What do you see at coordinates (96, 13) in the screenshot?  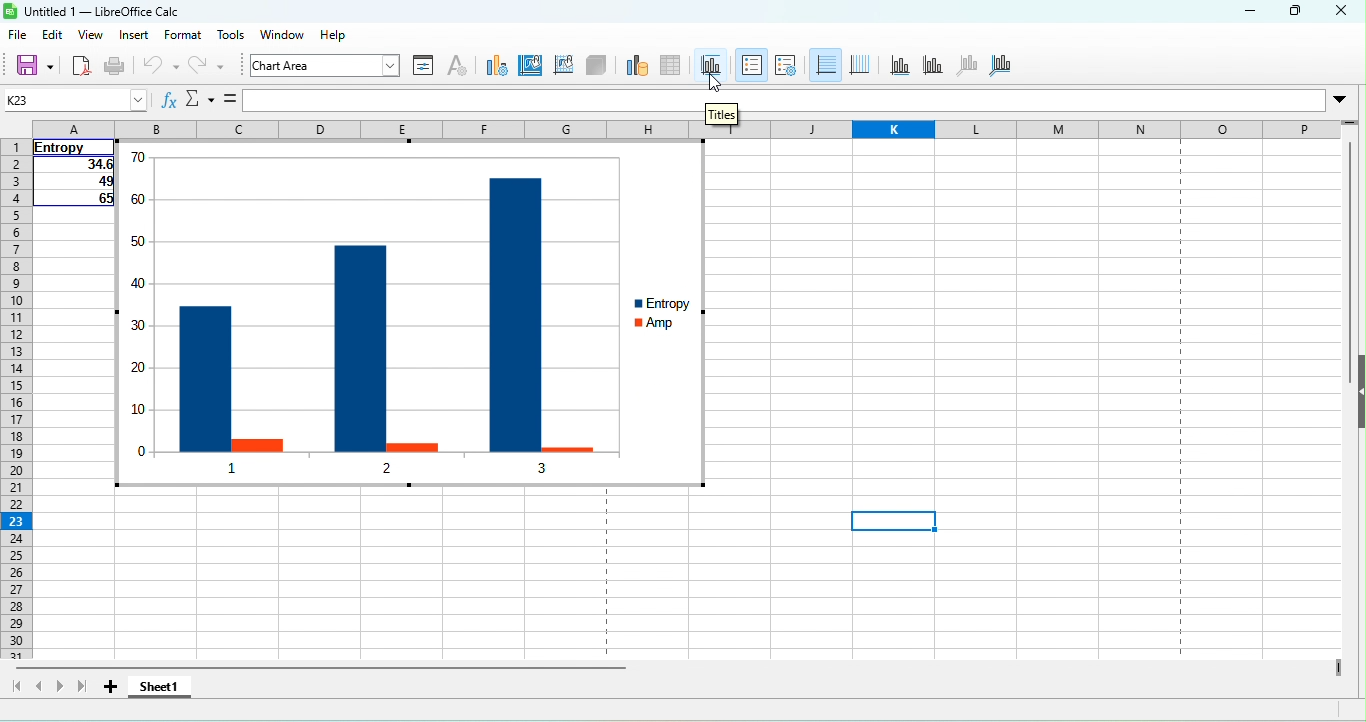 I see `untitled 1- libre office cala` at bounding box center [96, 13].